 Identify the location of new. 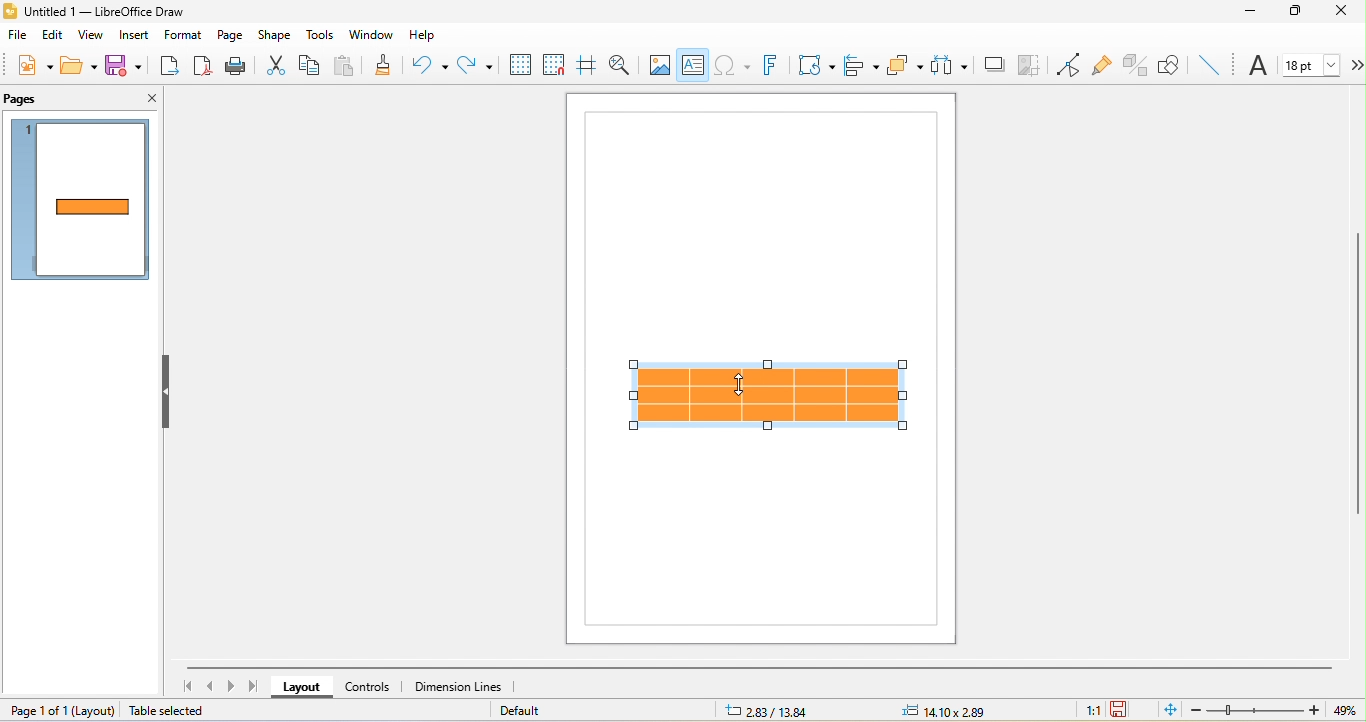
(33, 64).